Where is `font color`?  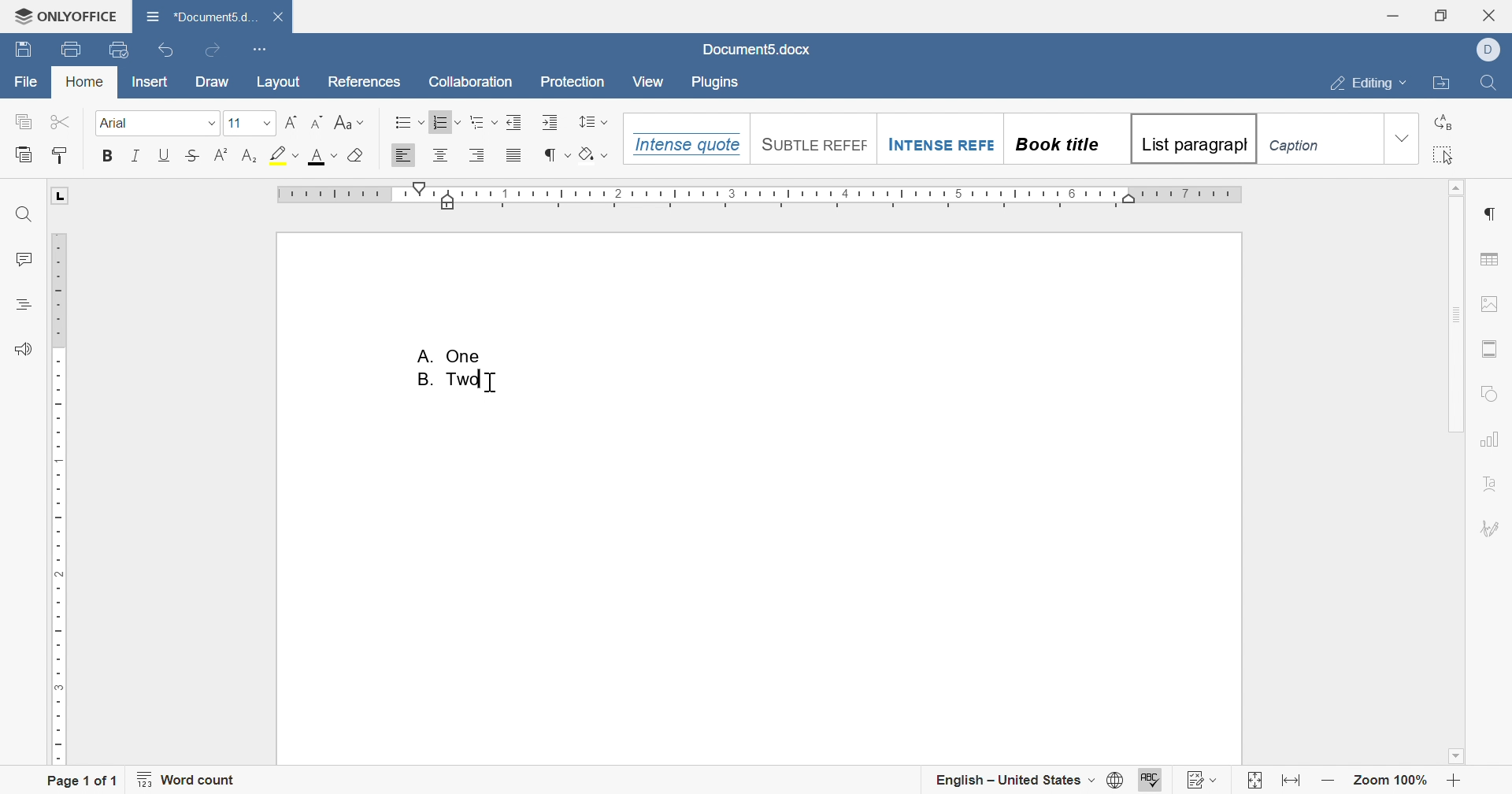
font color is located at coordinates (324, 157).